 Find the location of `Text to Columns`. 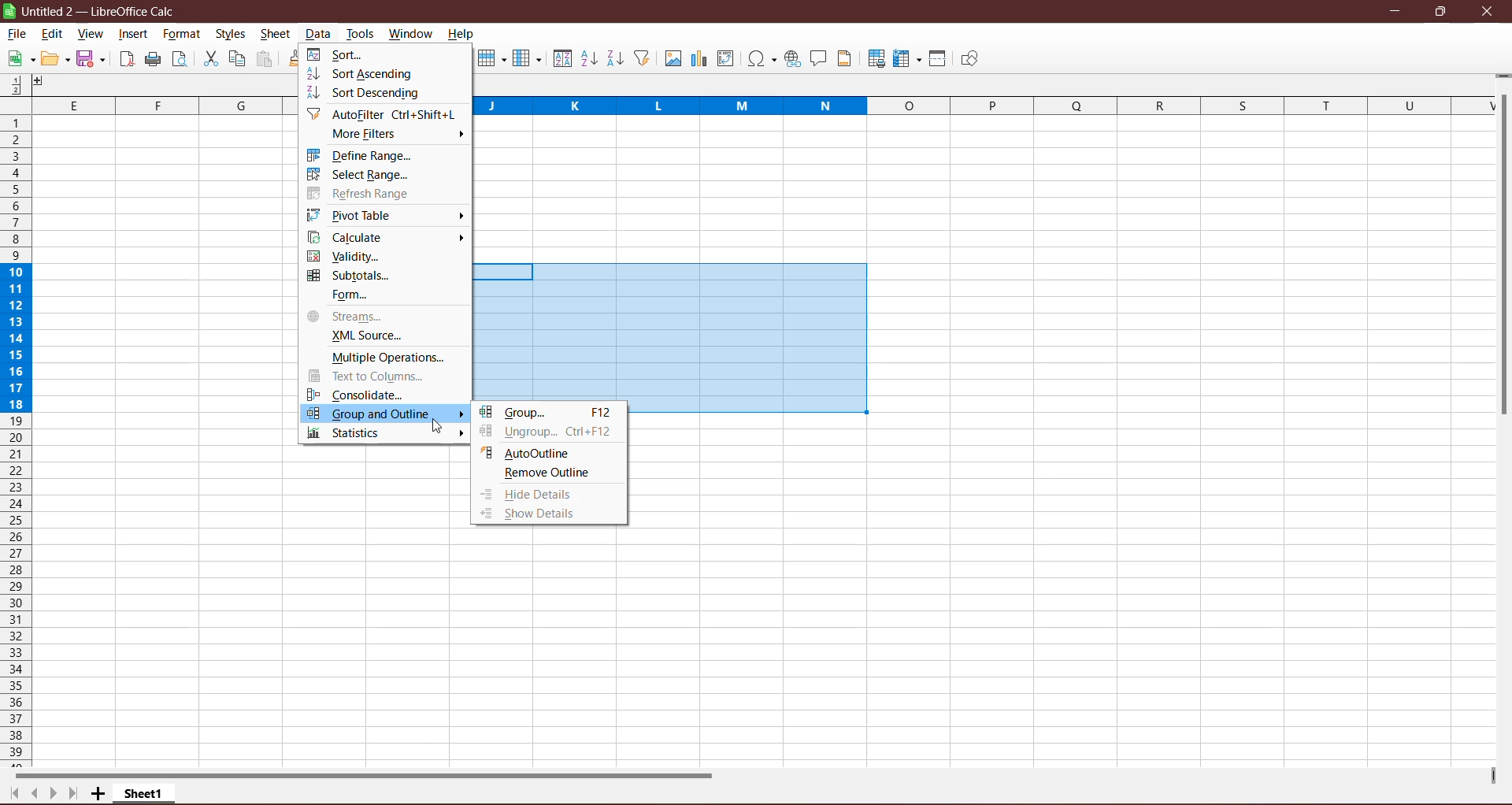

Text to Columns is located at coordinates (376, 376).